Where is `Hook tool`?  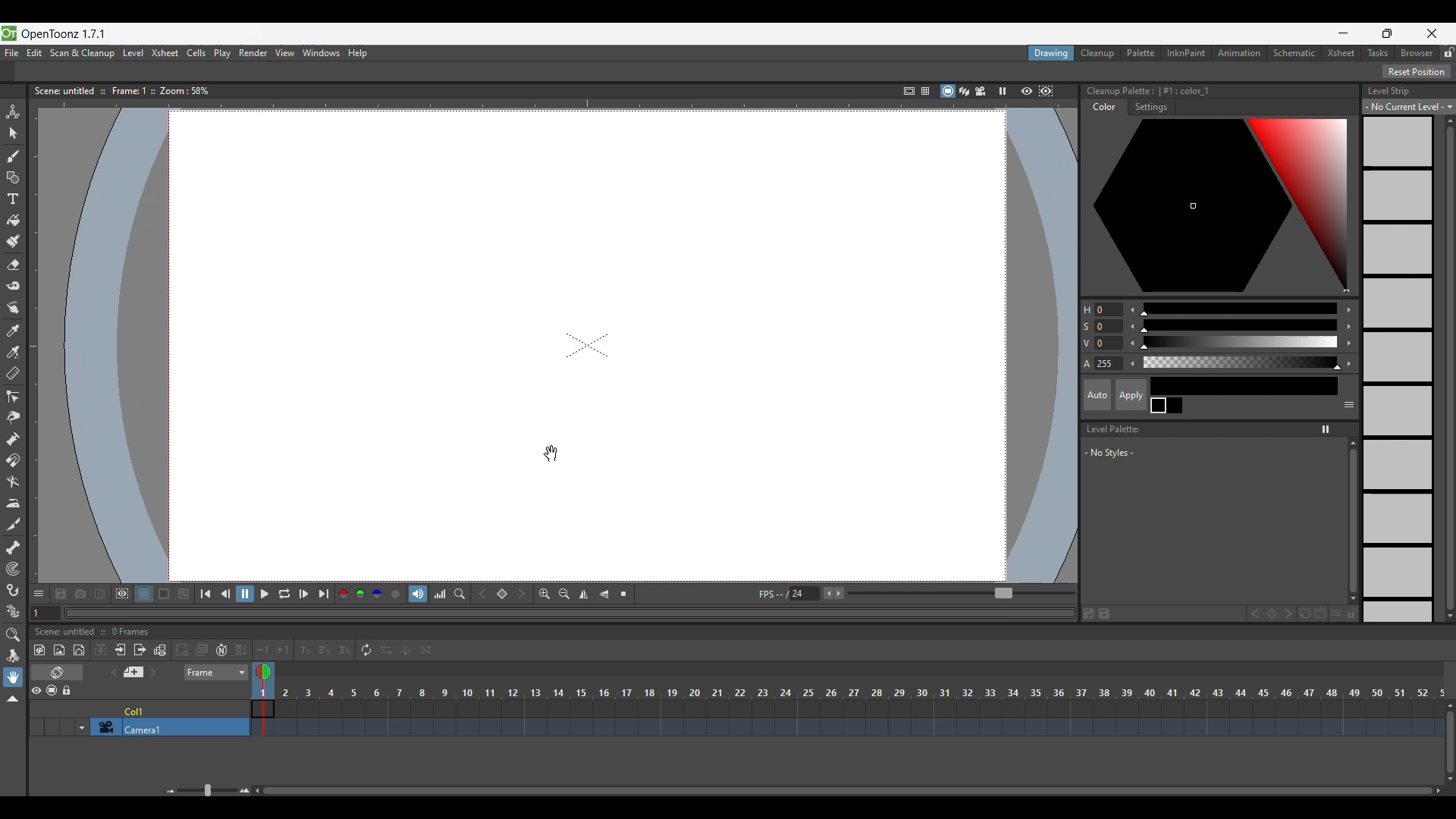 Hook tool is located at coordinates (13, 590).